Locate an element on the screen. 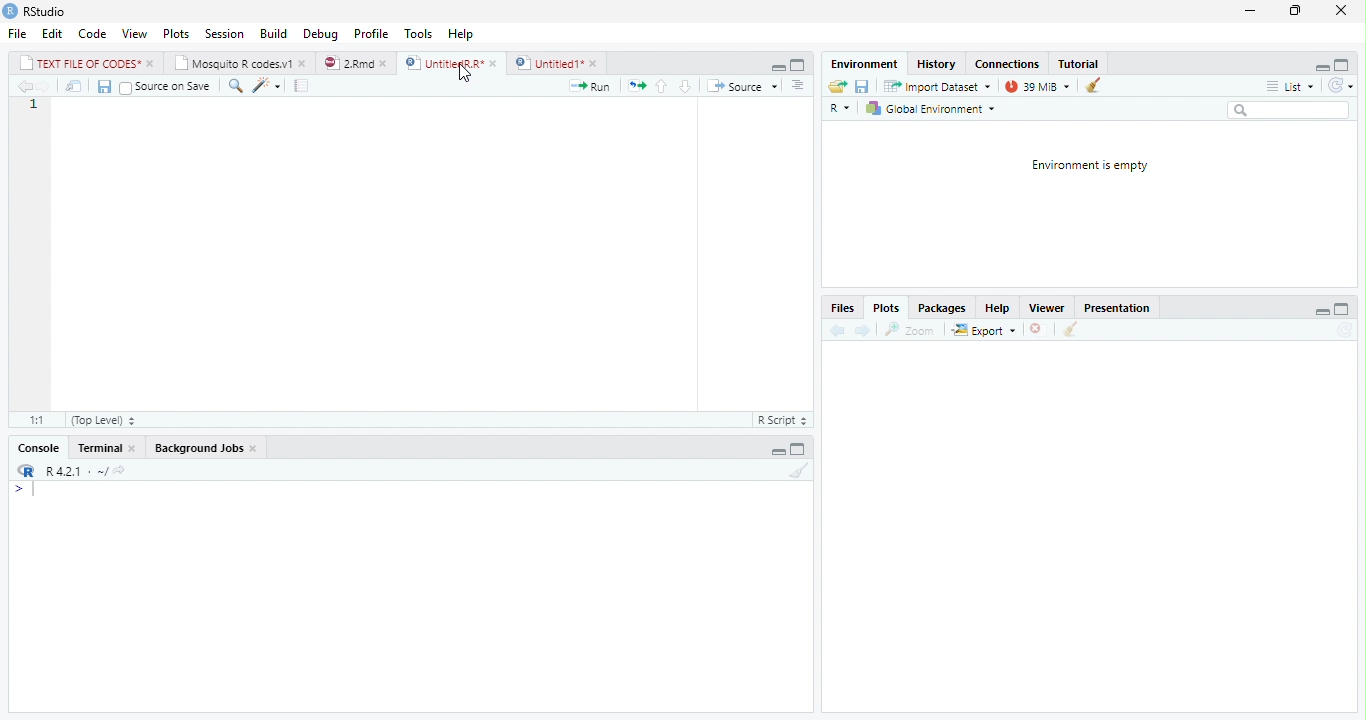 This screenshot has height=720, width=1366. Import dataset is located at coordinates (936, 85).